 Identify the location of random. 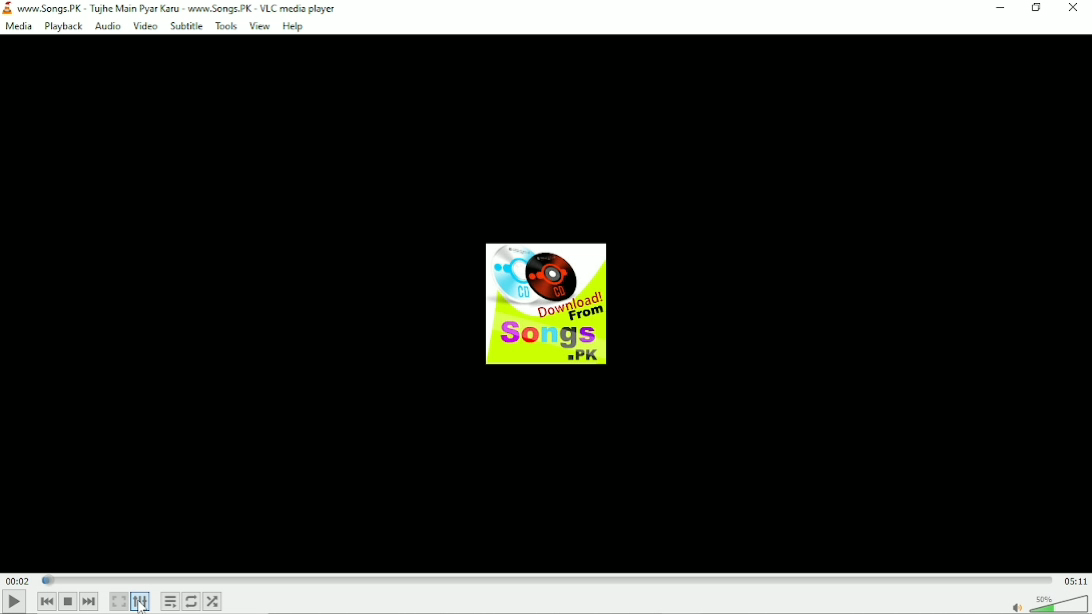
(213, 601).